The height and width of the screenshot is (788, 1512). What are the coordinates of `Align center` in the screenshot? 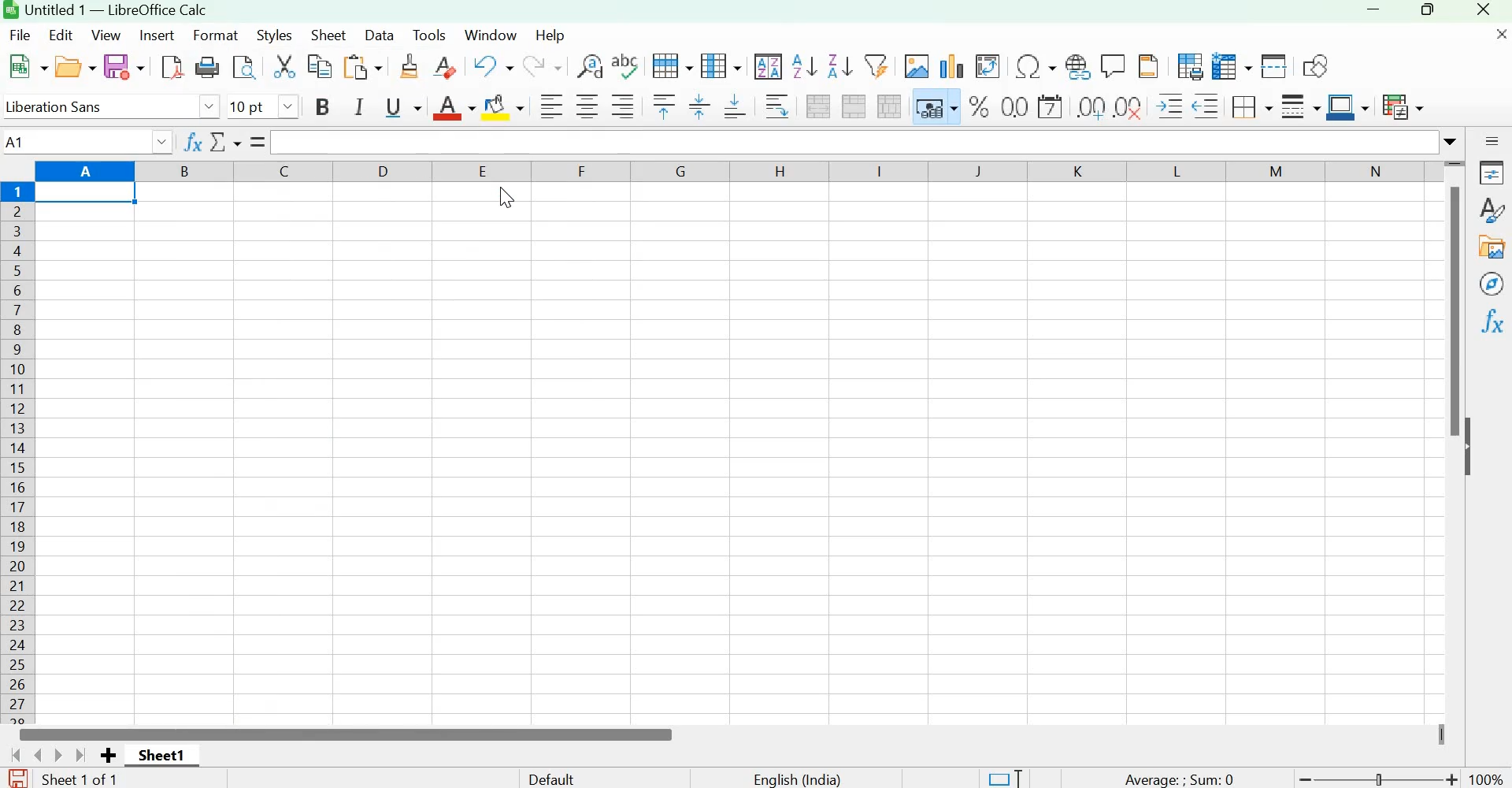 It's located at (588, 106).